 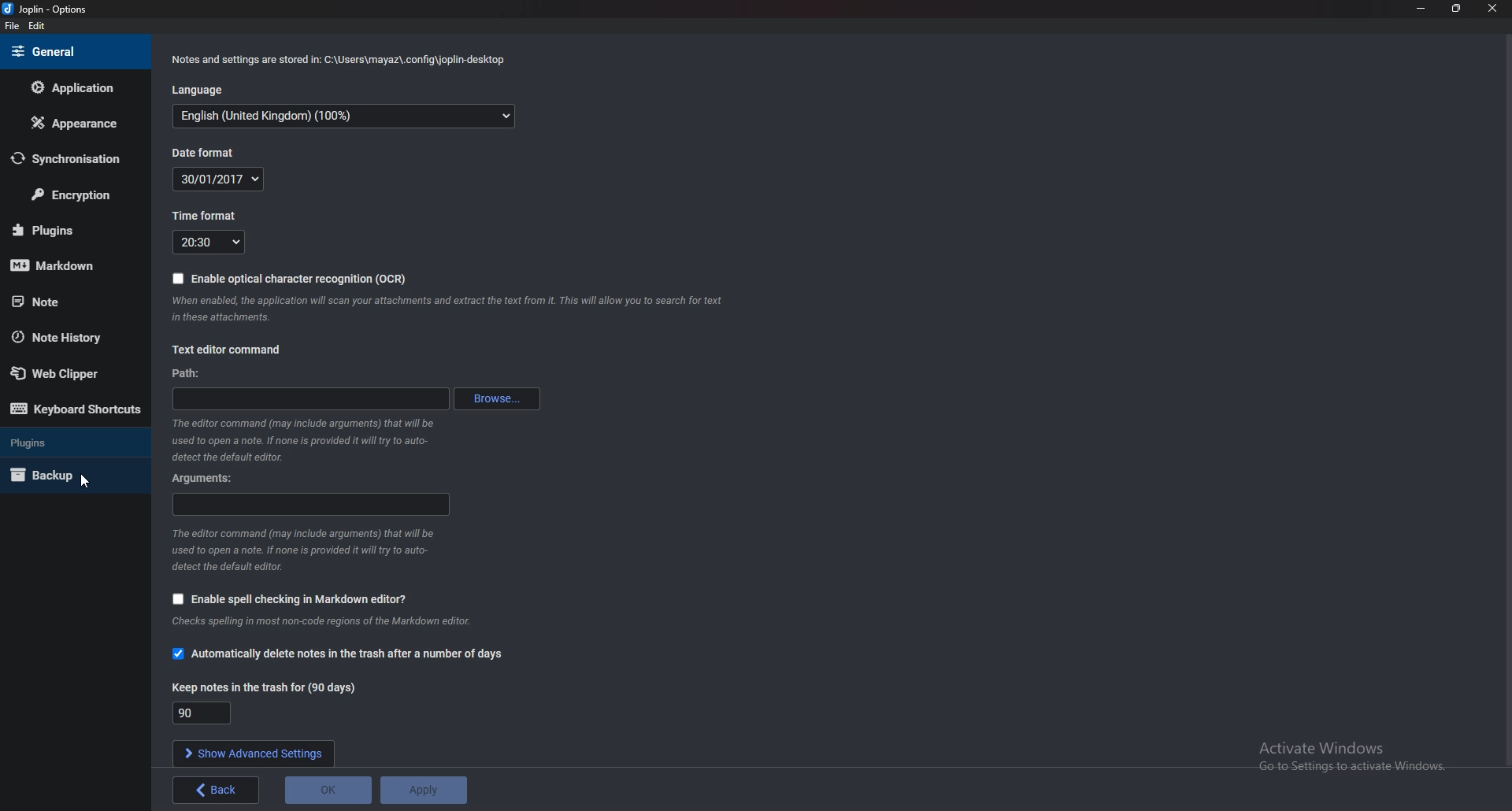 I want to click on Synchronization, so click(x=66, y=158).